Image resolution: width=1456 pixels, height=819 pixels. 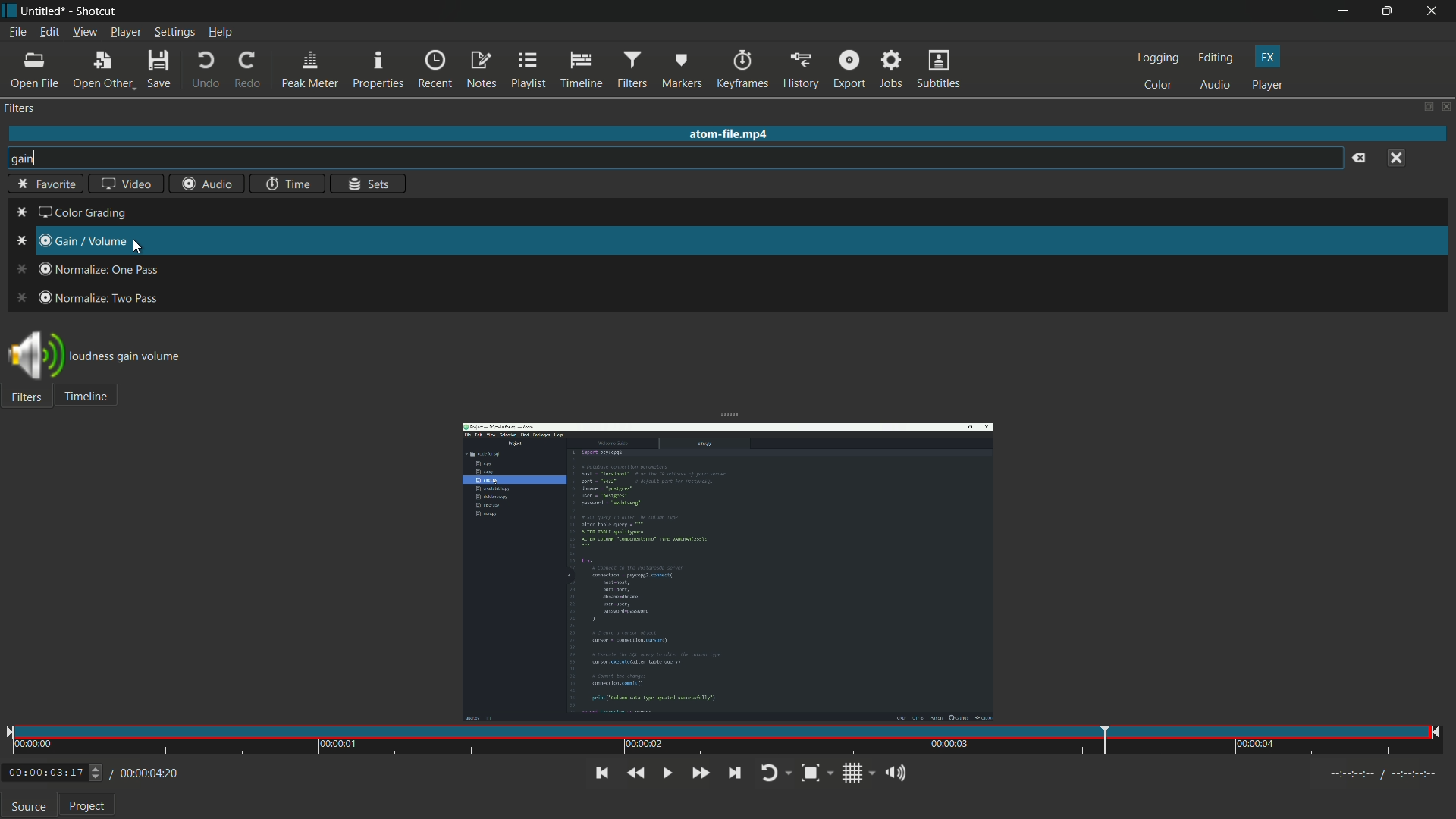 I want to click on source, so click(x=29, y=806).